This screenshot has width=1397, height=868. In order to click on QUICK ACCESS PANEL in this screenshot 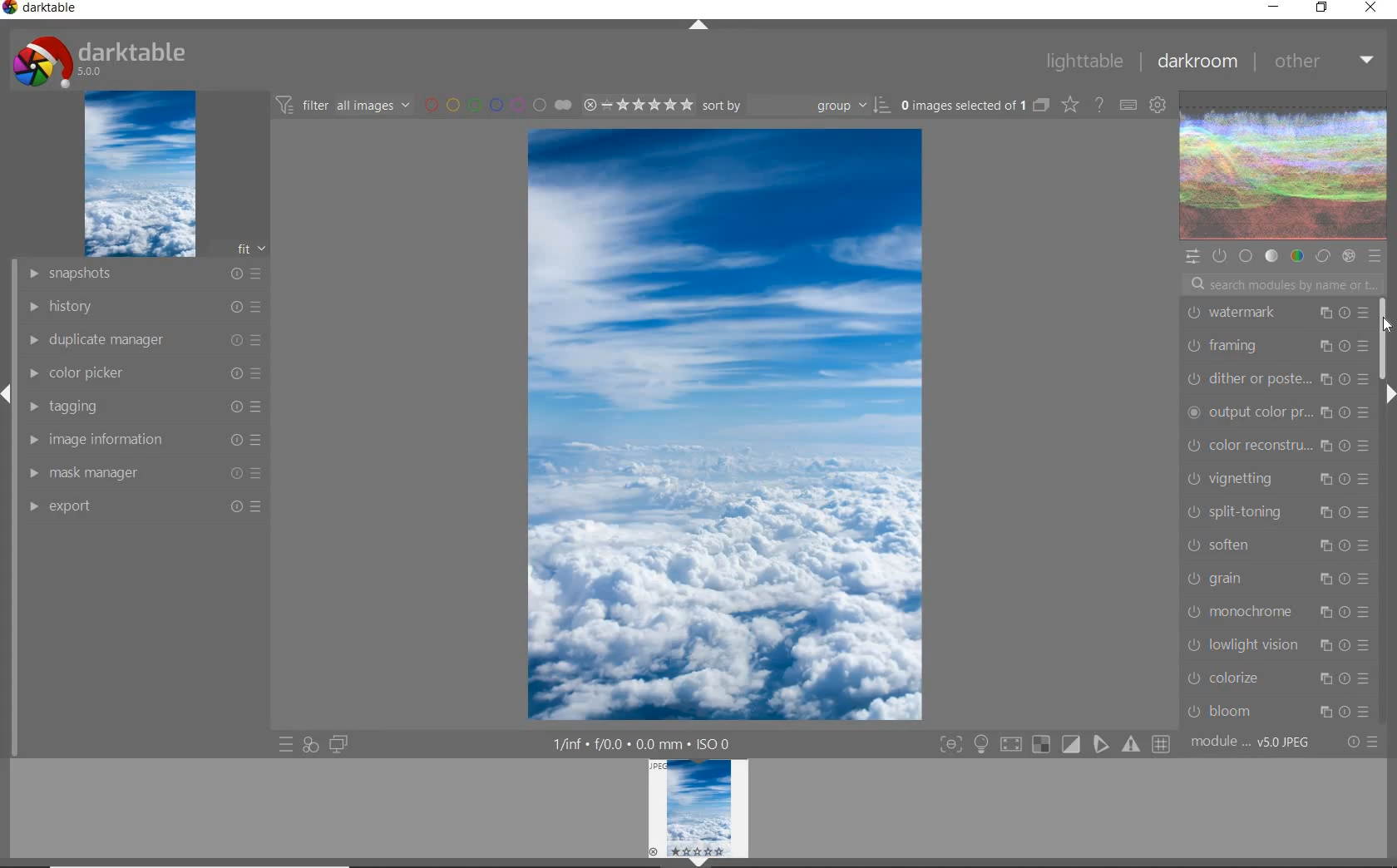, I will do `click(1192, 254)`.